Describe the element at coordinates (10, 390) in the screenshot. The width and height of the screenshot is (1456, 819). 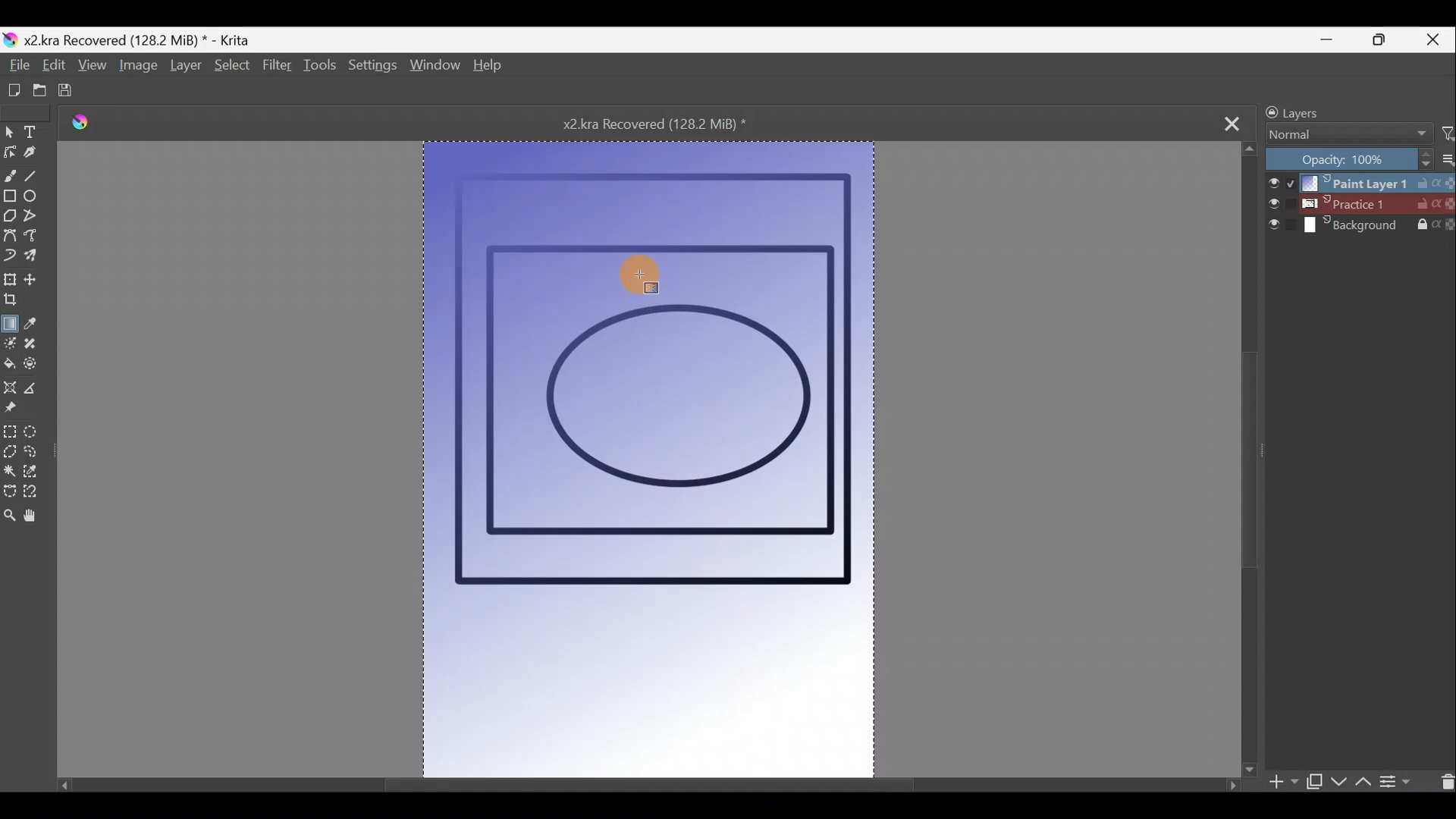
I see `Assistant tool` at that location.